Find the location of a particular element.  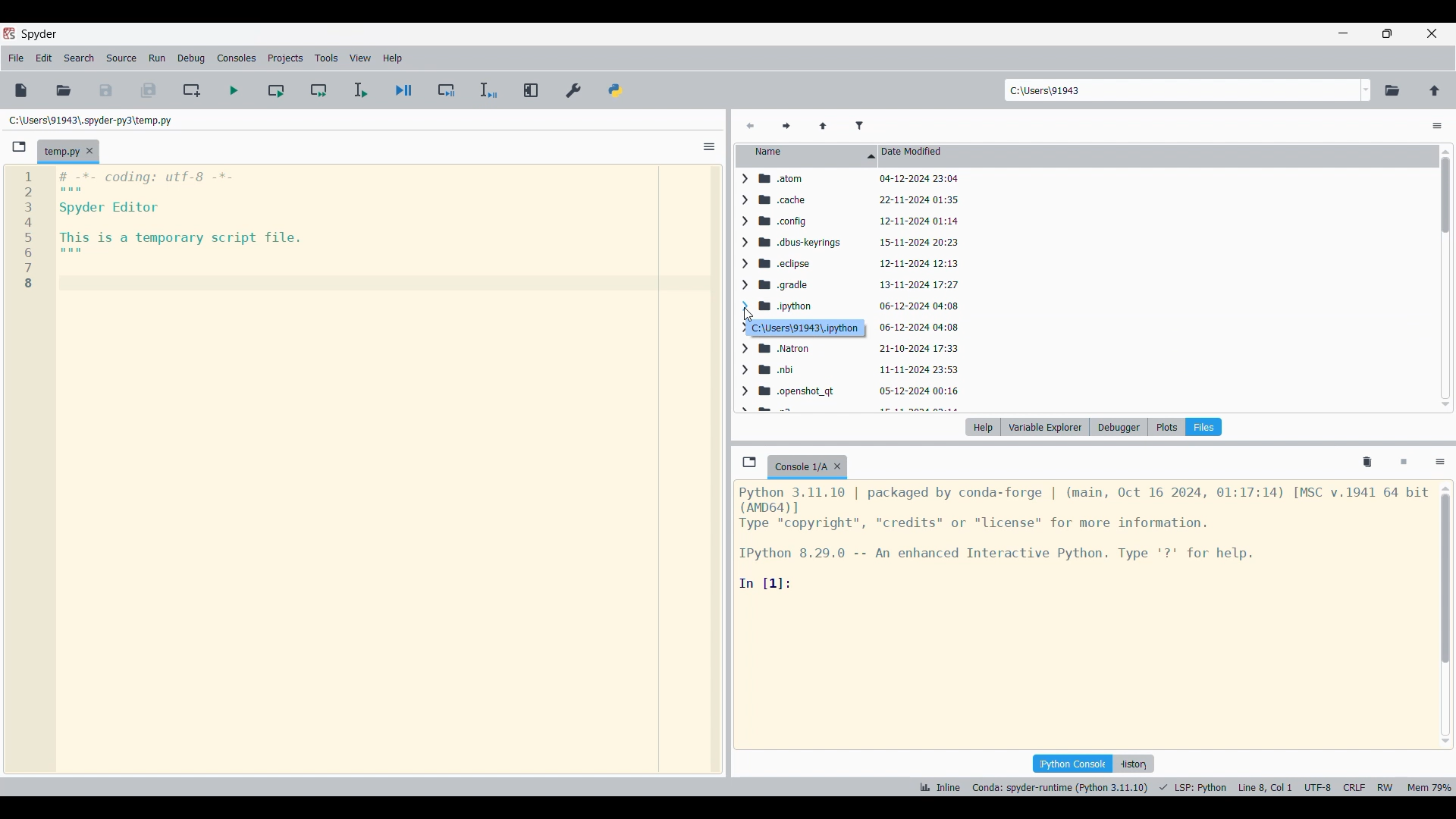

Enter in location is located at coordinates (1181, 90).